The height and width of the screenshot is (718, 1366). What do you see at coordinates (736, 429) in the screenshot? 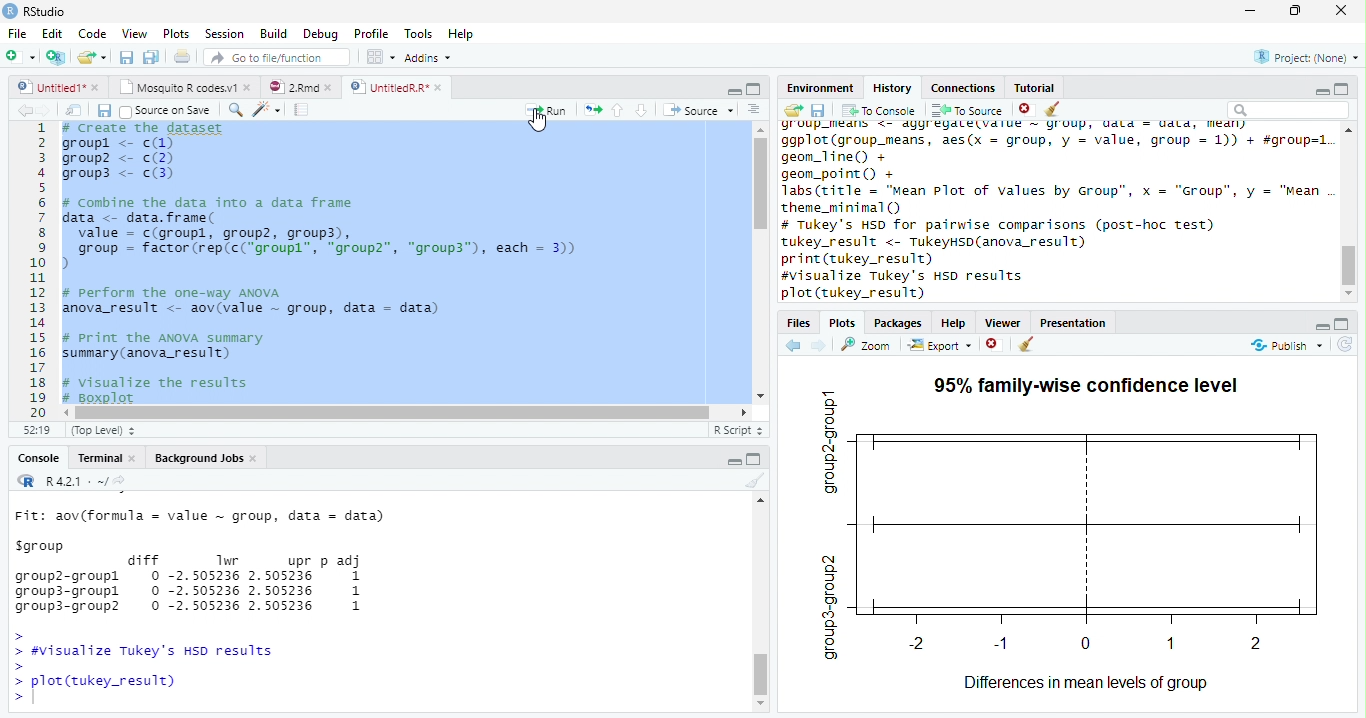
I see `R script` at bounding box center [736, 429].